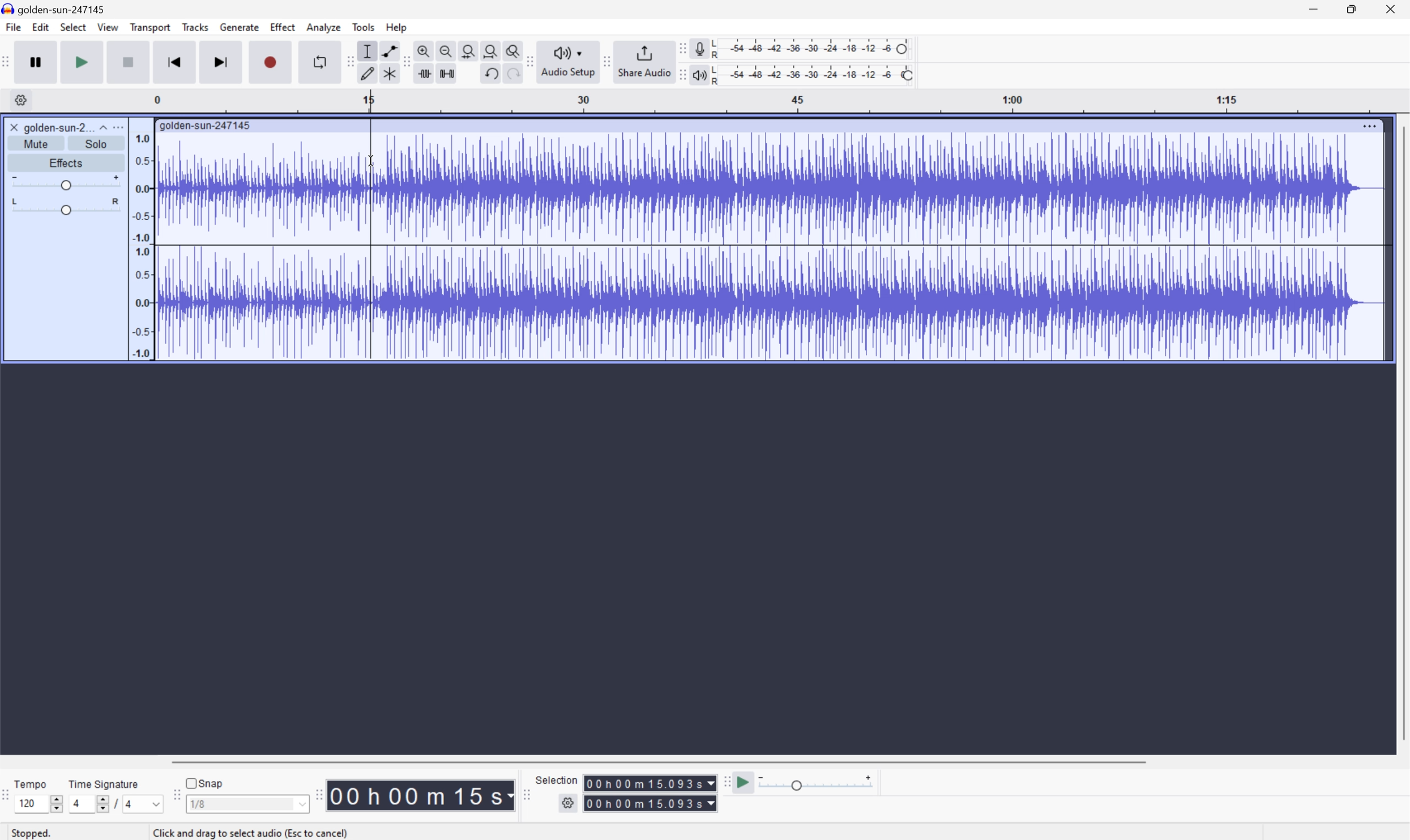 The image size is (1410, 840). What do you see at coordinates (101, 125) in the screenshot?
I see `Drop Down` at bounding box center [101, 125].